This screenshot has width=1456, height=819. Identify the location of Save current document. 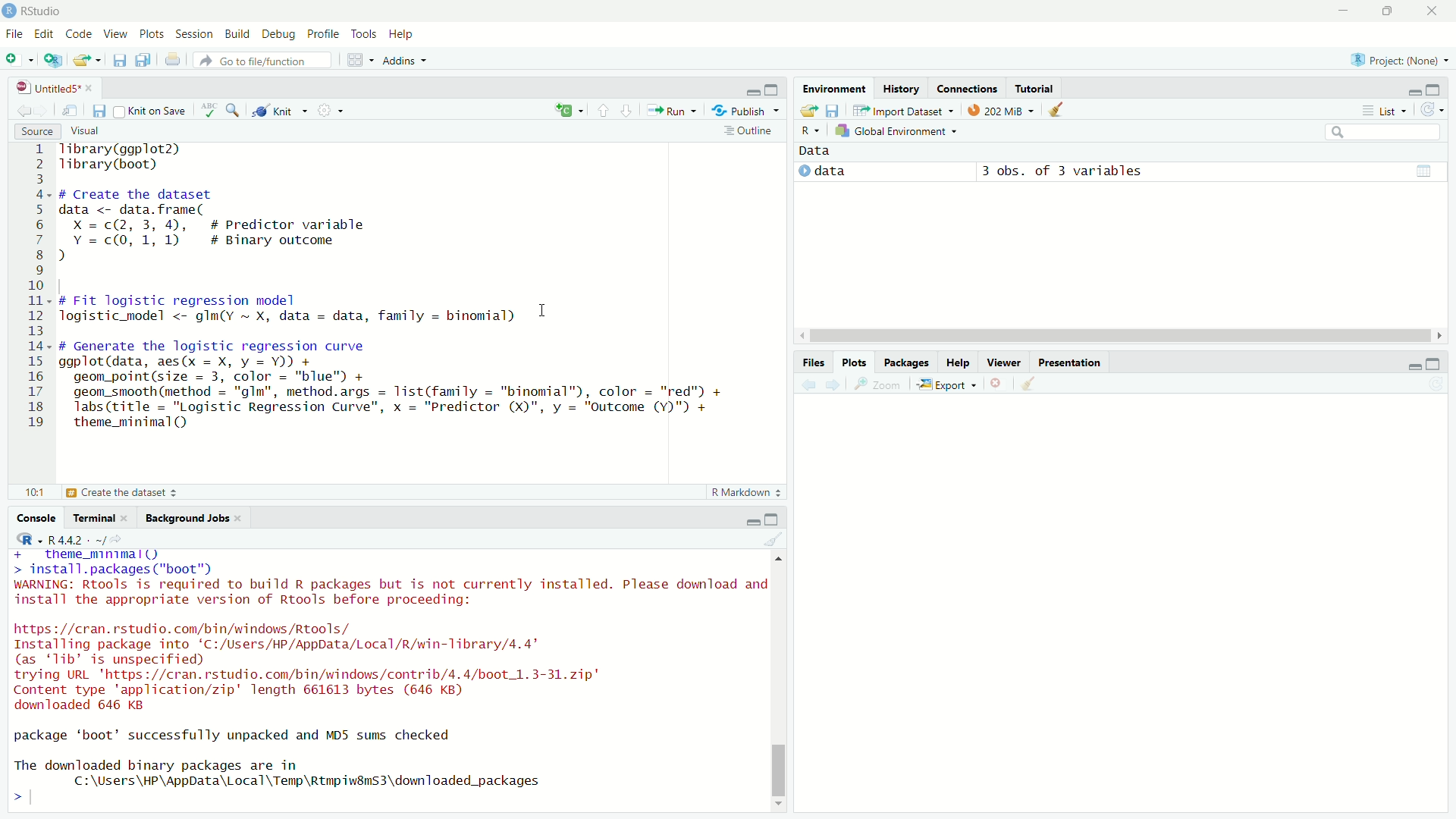
(119, 59).